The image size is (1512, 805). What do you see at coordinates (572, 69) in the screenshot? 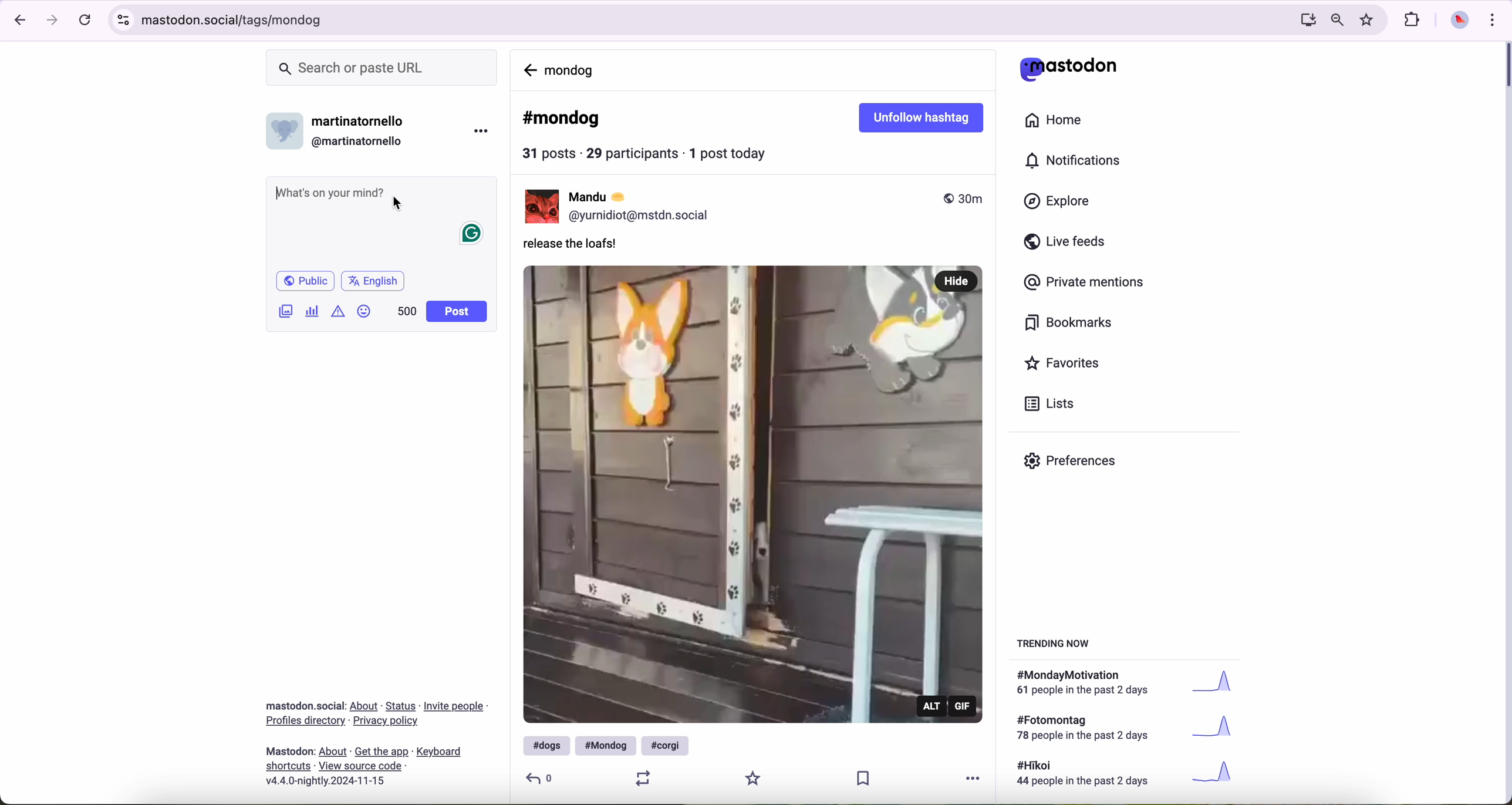
I see `mondog` at bounding box center [572, 69].